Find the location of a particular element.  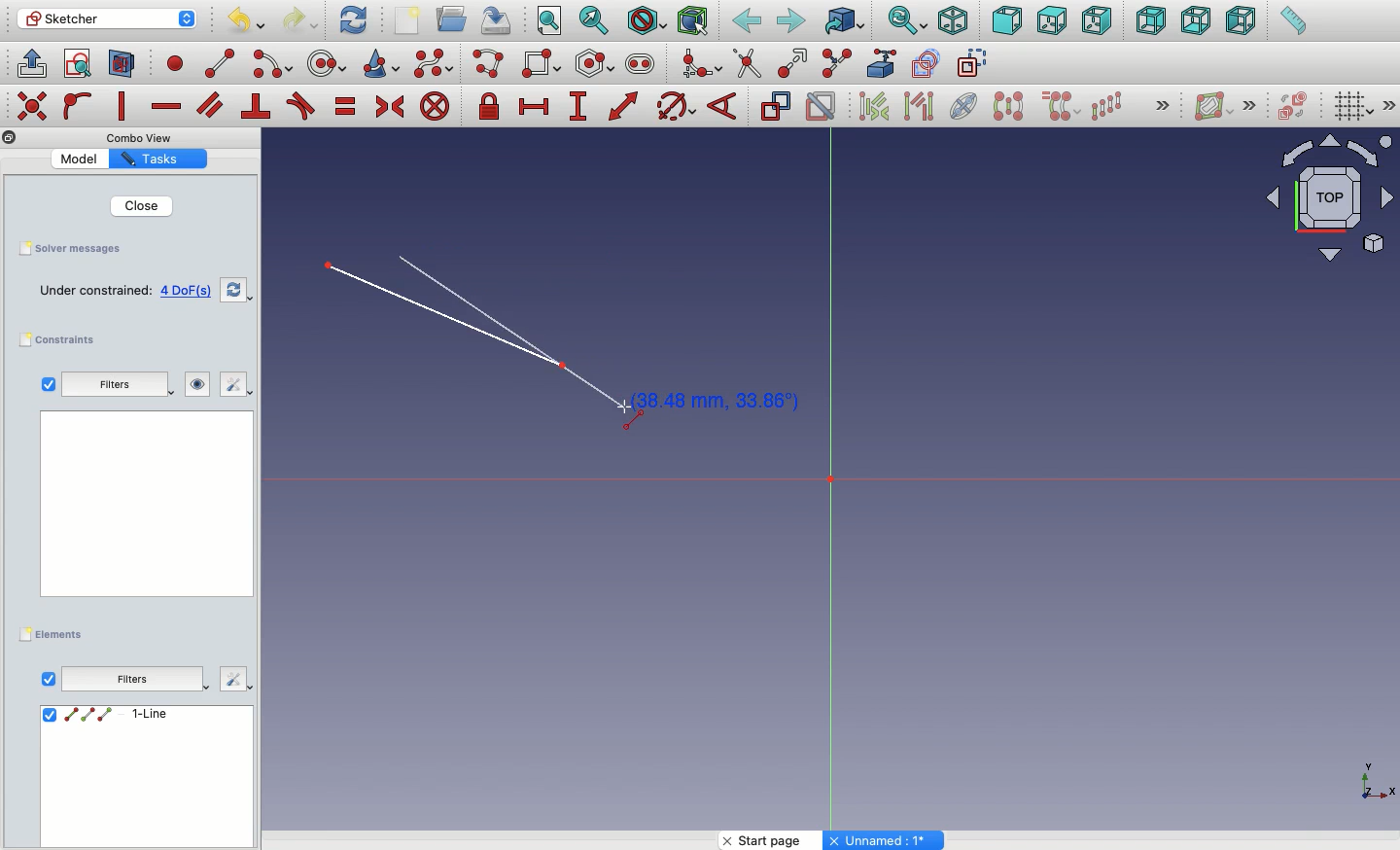

New is located at coordinates (409, 20).